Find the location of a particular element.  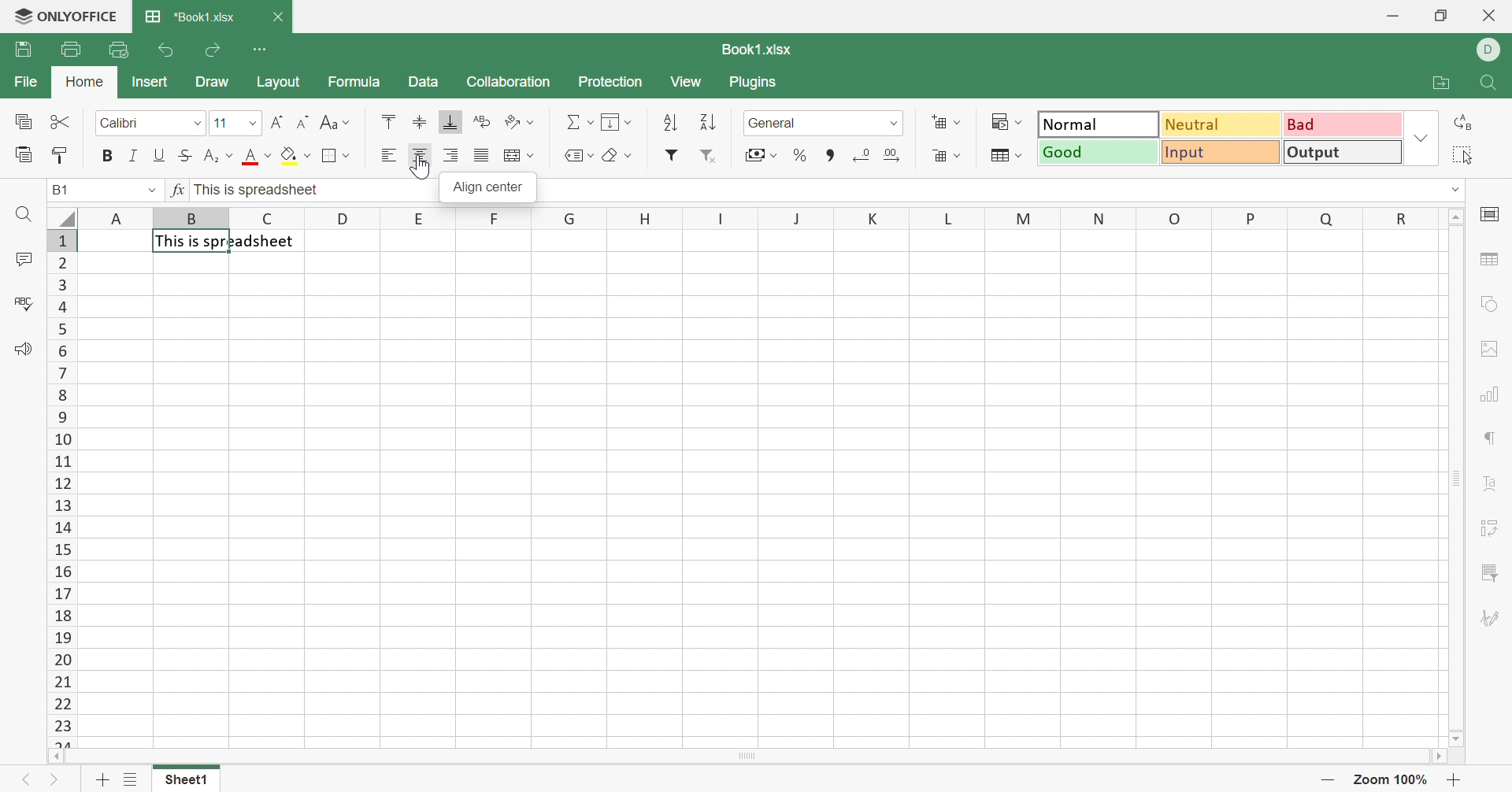

Scroll Left is located at coordinates (56, 756).